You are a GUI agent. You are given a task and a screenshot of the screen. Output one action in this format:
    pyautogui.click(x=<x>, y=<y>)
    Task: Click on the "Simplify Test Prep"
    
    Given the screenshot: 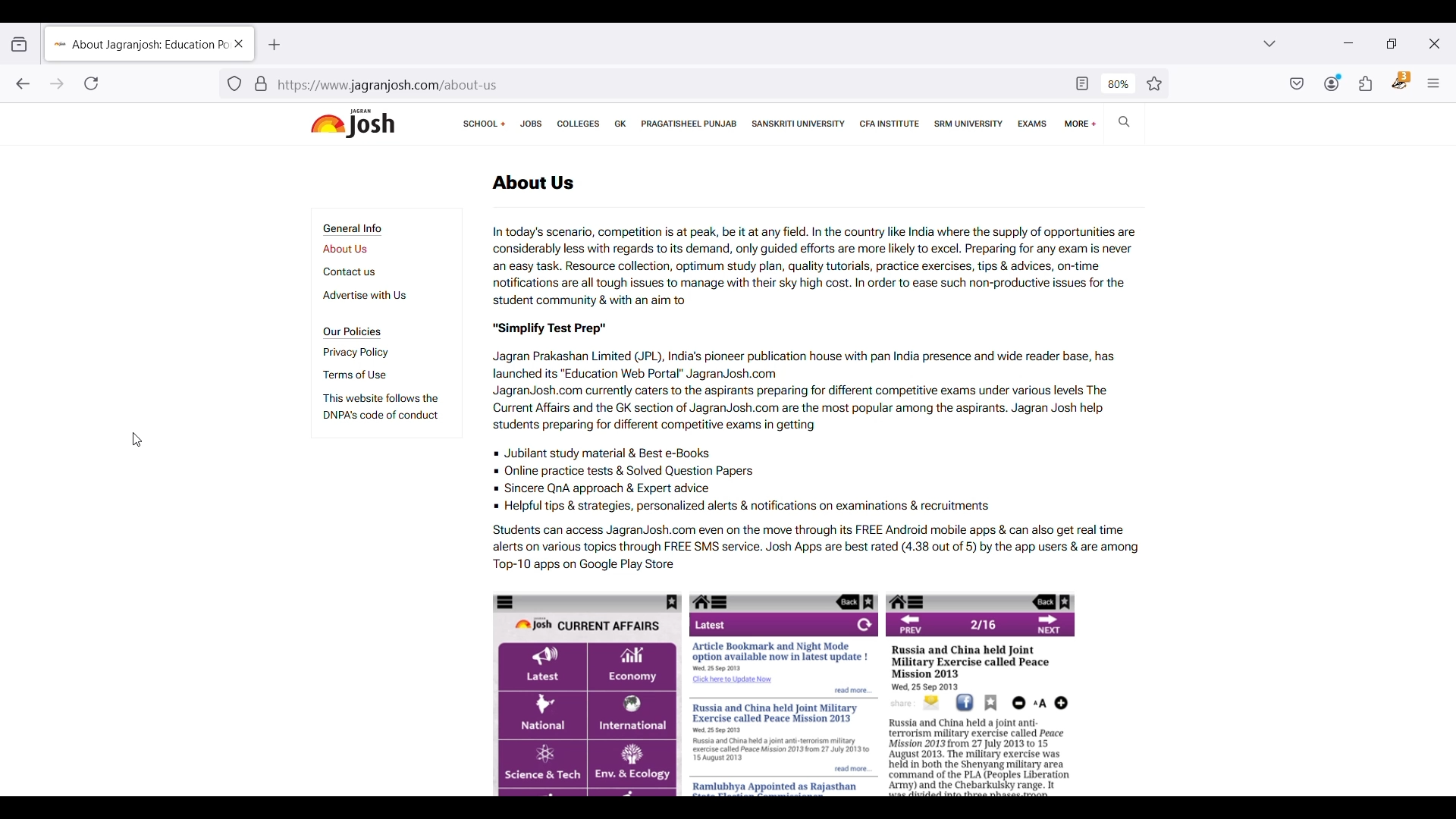 What is the action you would take?
    pyautogui.click(x=558, y=329)
    